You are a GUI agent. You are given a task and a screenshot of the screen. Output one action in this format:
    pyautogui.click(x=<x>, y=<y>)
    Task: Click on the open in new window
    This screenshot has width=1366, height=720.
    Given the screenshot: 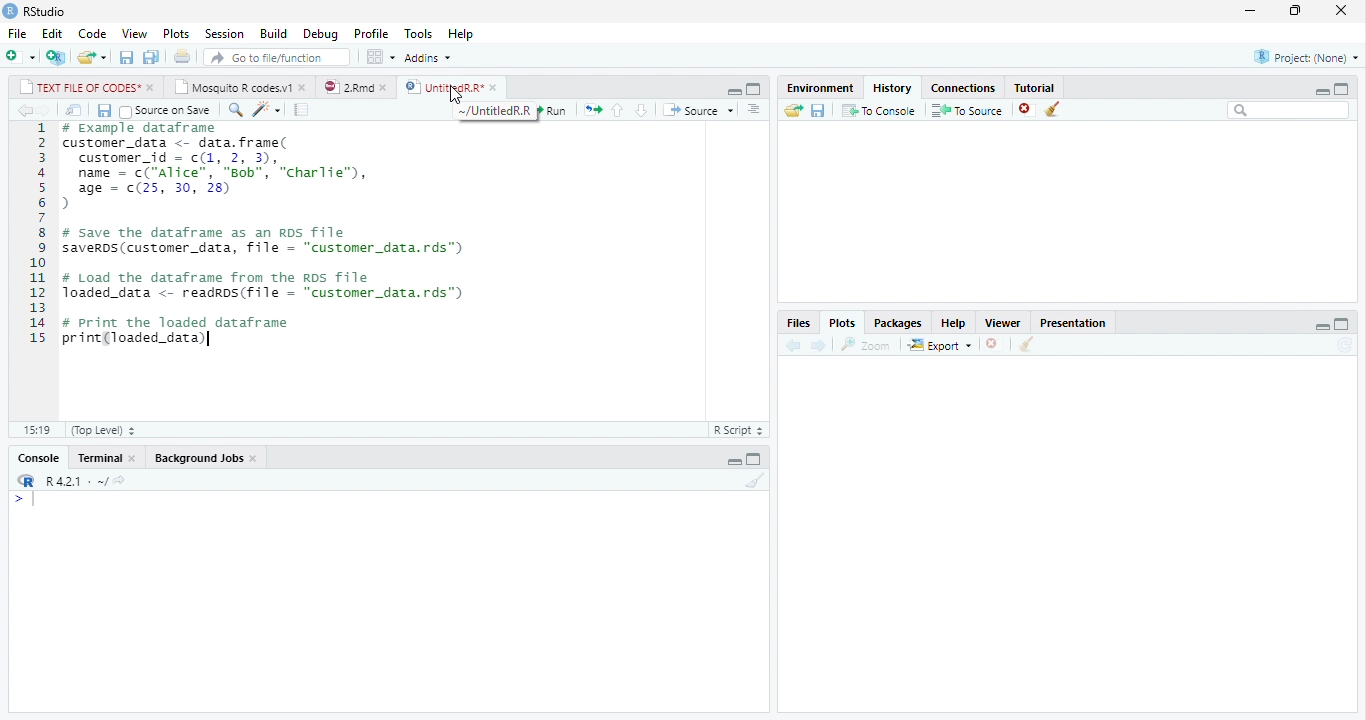 What is the action you would take?
    pyautogui.click(x=75, y=111)
    